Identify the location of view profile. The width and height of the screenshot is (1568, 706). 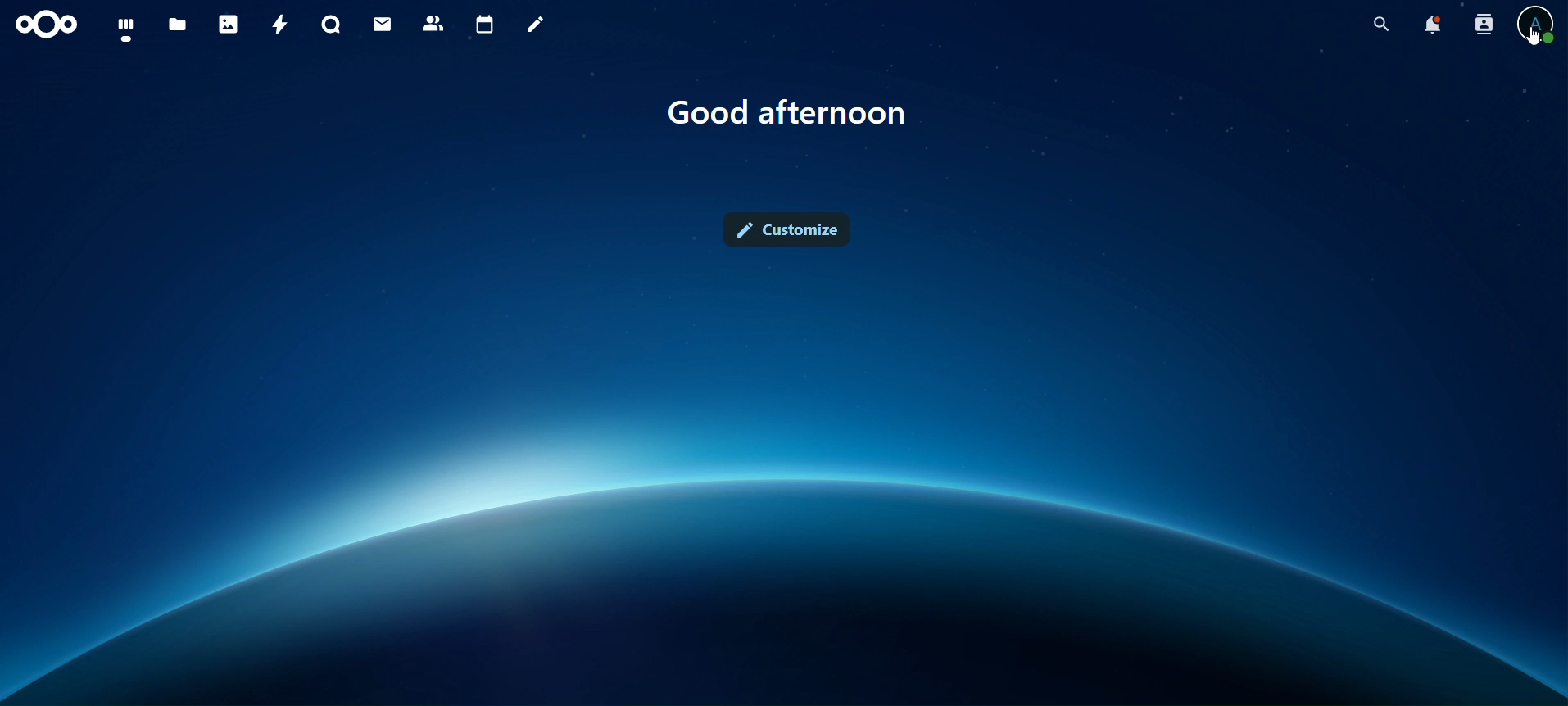
(1536, 22).